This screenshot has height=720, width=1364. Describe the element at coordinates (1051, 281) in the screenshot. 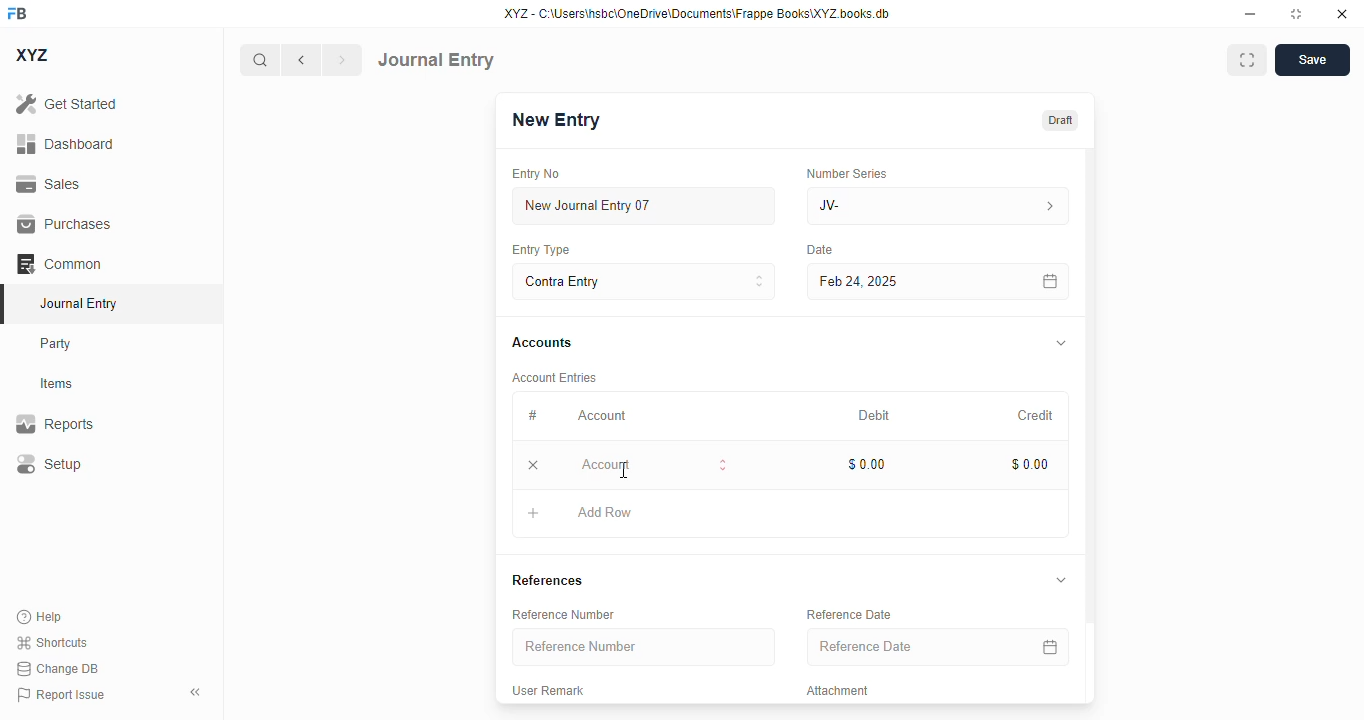

I see `calendar icon` at that location.